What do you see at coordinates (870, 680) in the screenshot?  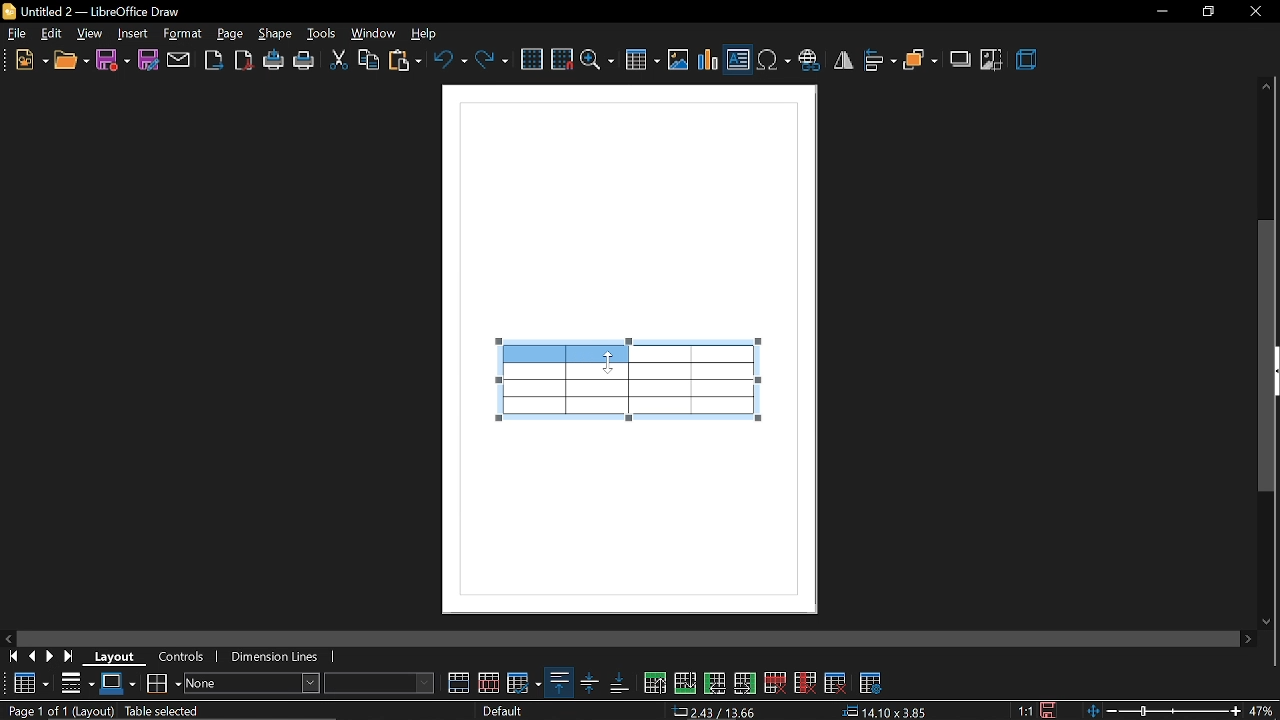 I see `table properties` at bounding box center [870, 680].